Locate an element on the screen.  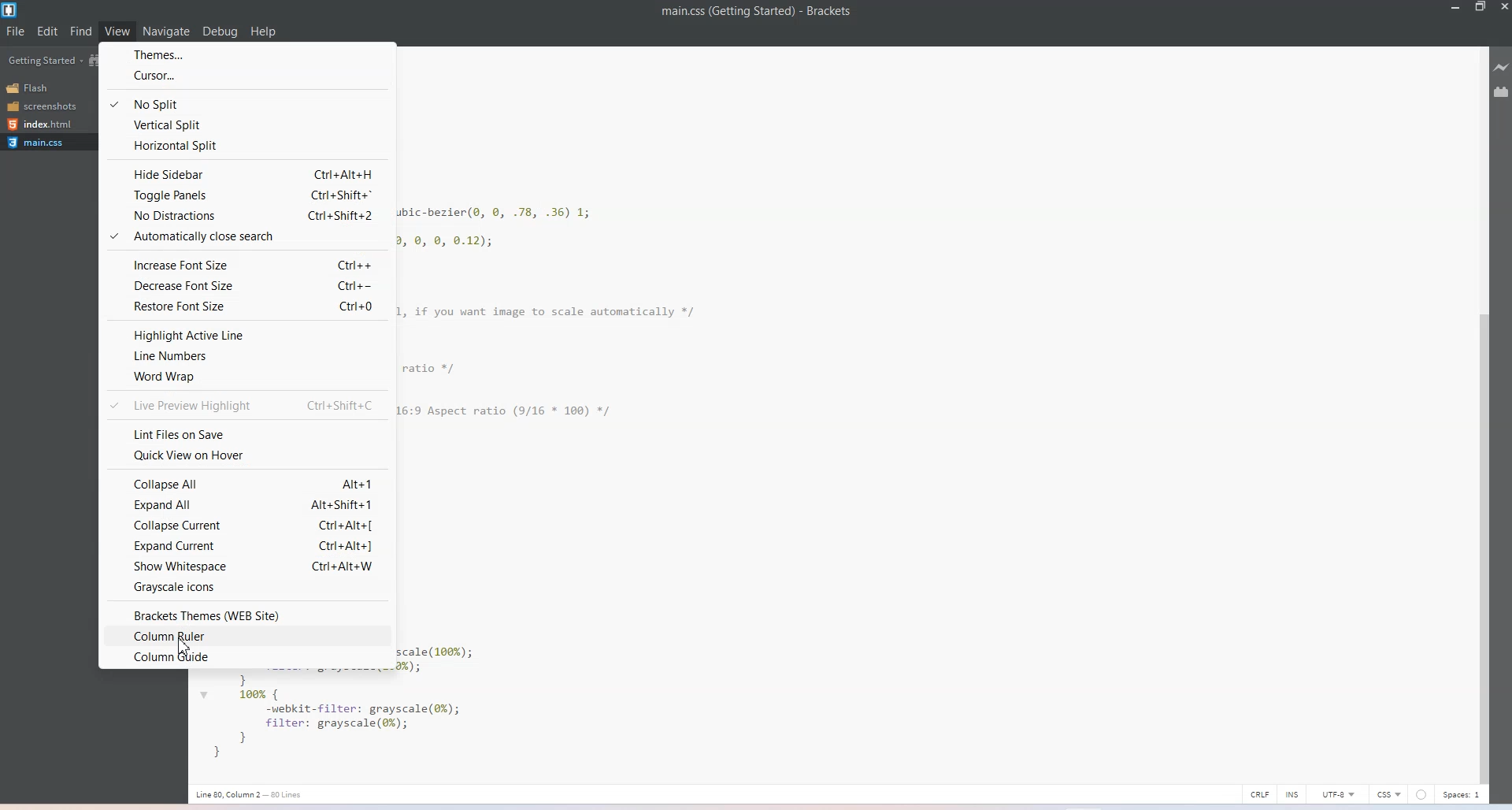
 is located at coordinates (1421, 794).